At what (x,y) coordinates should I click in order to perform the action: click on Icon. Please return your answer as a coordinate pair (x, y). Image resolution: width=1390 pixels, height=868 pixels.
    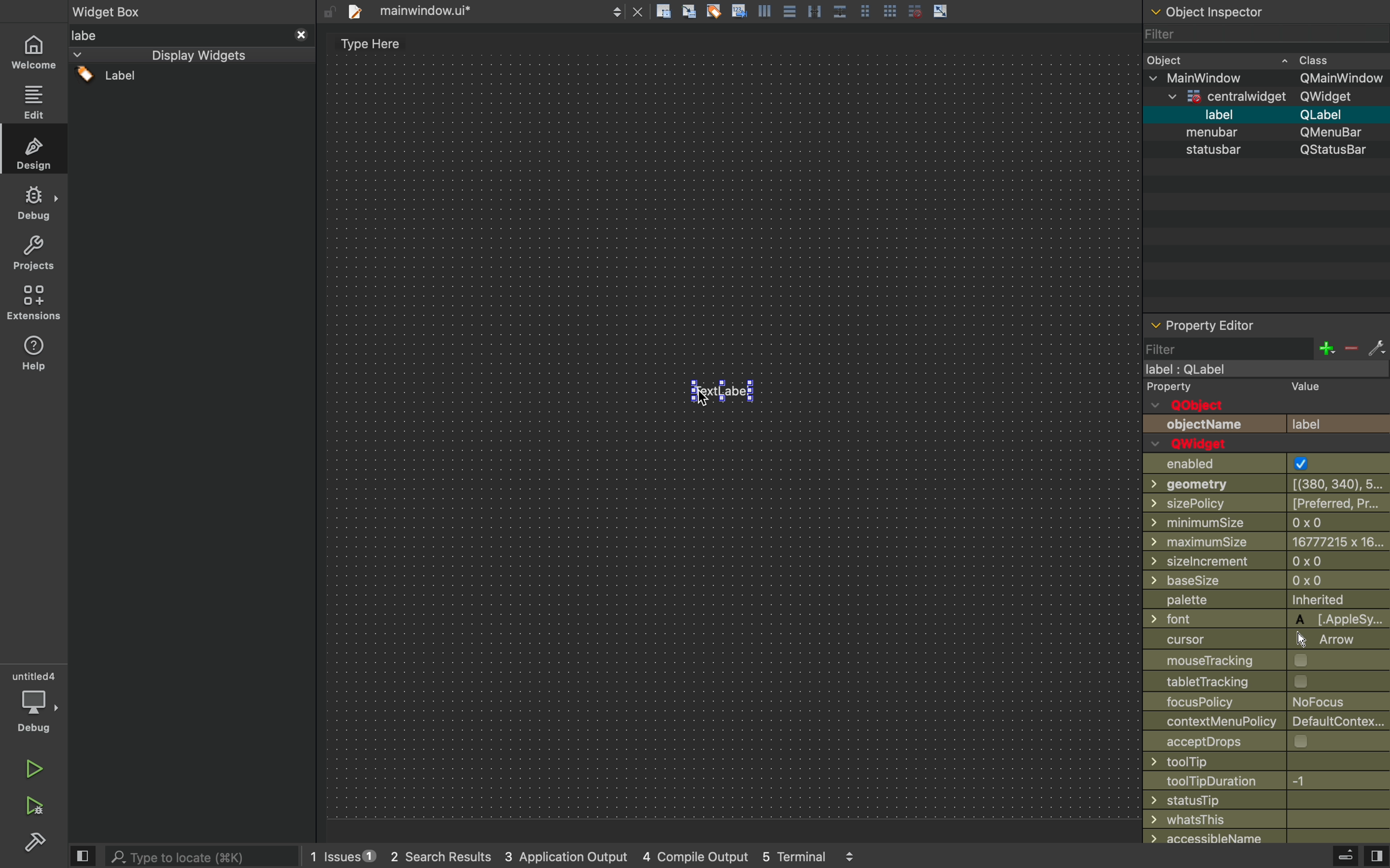
    Looking at the image, I should click on (739, 10).